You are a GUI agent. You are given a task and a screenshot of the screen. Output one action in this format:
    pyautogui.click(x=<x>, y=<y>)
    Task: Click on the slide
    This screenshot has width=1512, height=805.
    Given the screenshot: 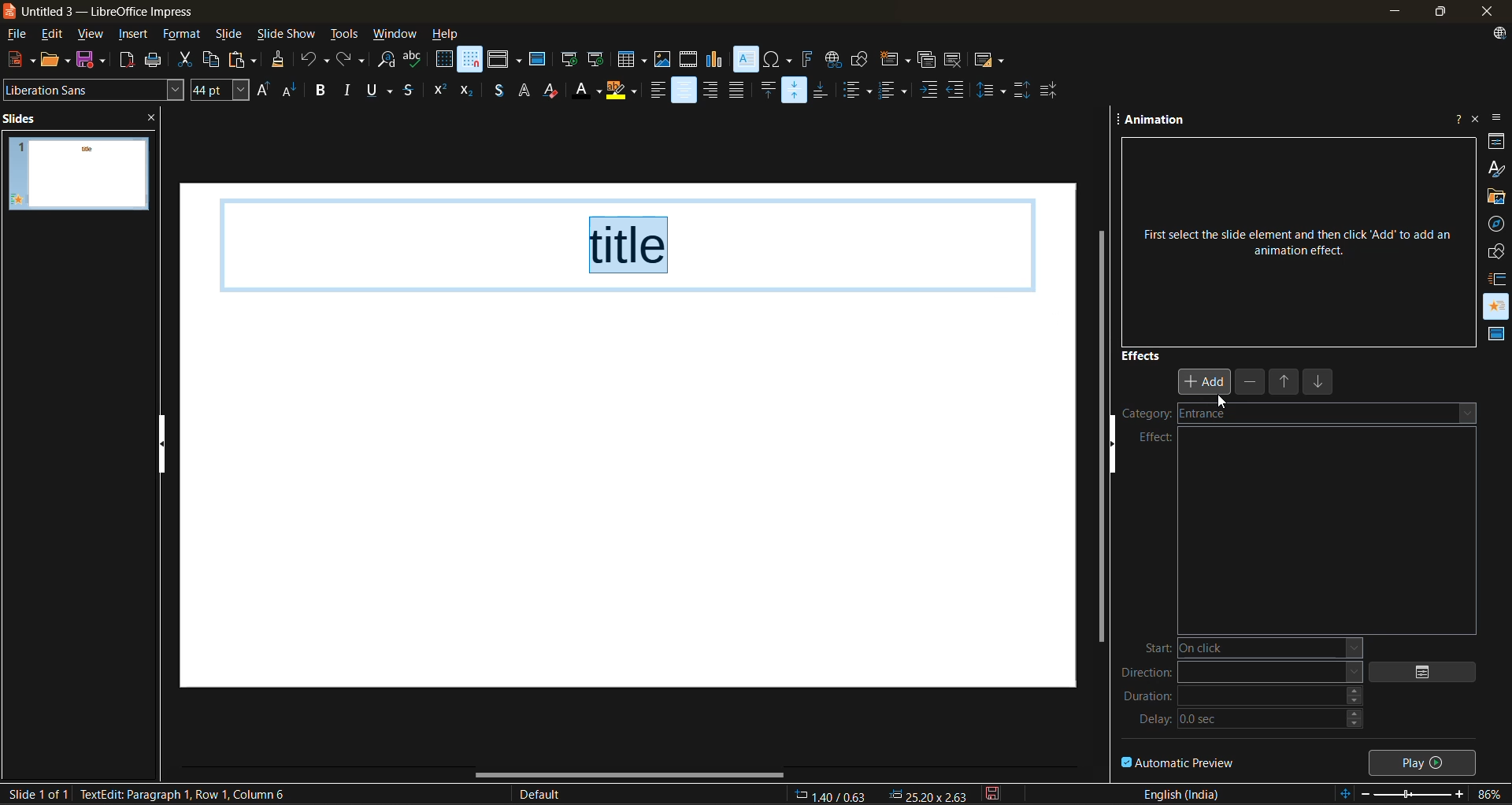 What is the action you would take?
    pyautogui.click(x=231, y=36)
    